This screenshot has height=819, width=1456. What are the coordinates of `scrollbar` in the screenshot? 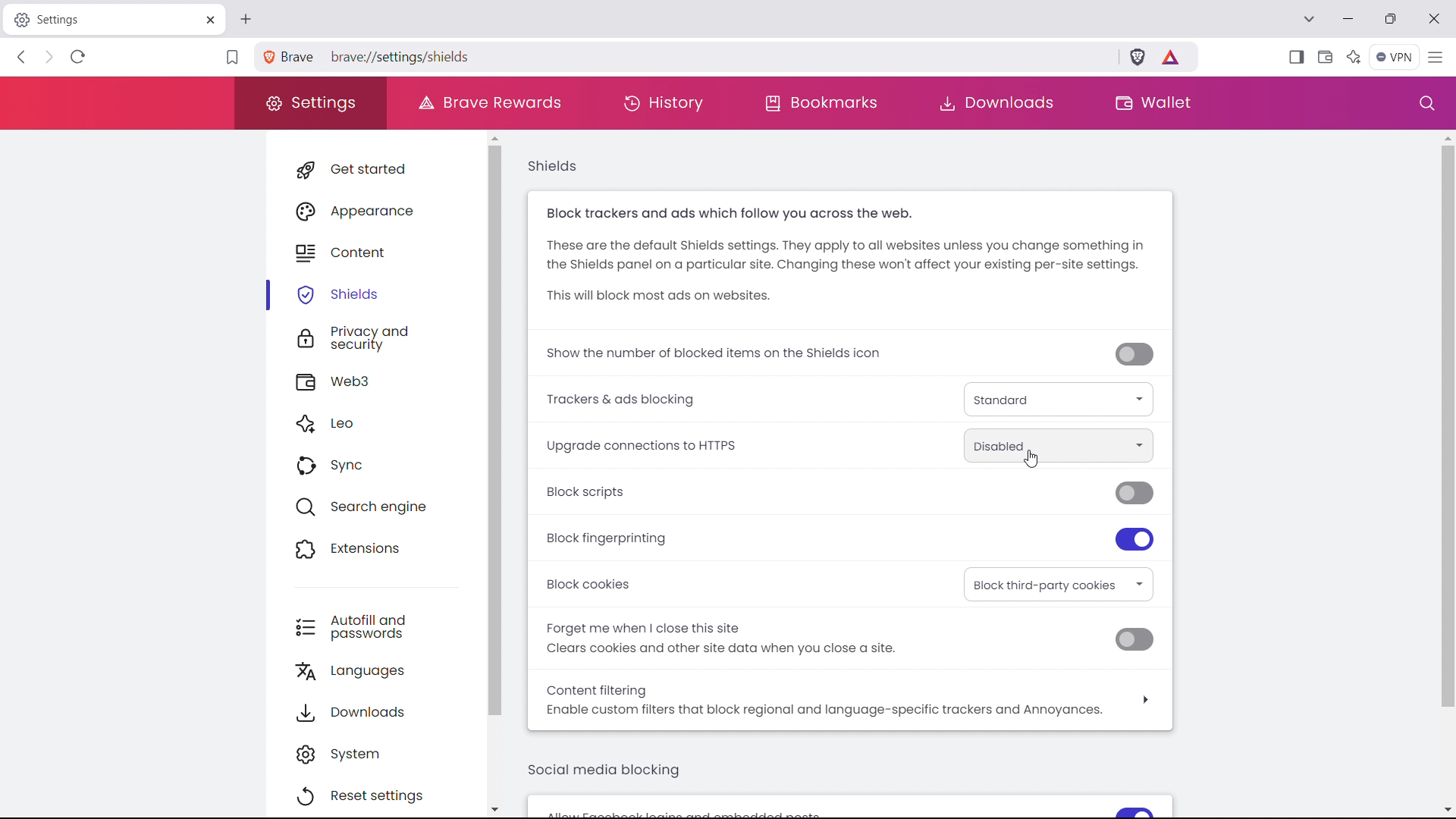 It's located at (1447, 426).